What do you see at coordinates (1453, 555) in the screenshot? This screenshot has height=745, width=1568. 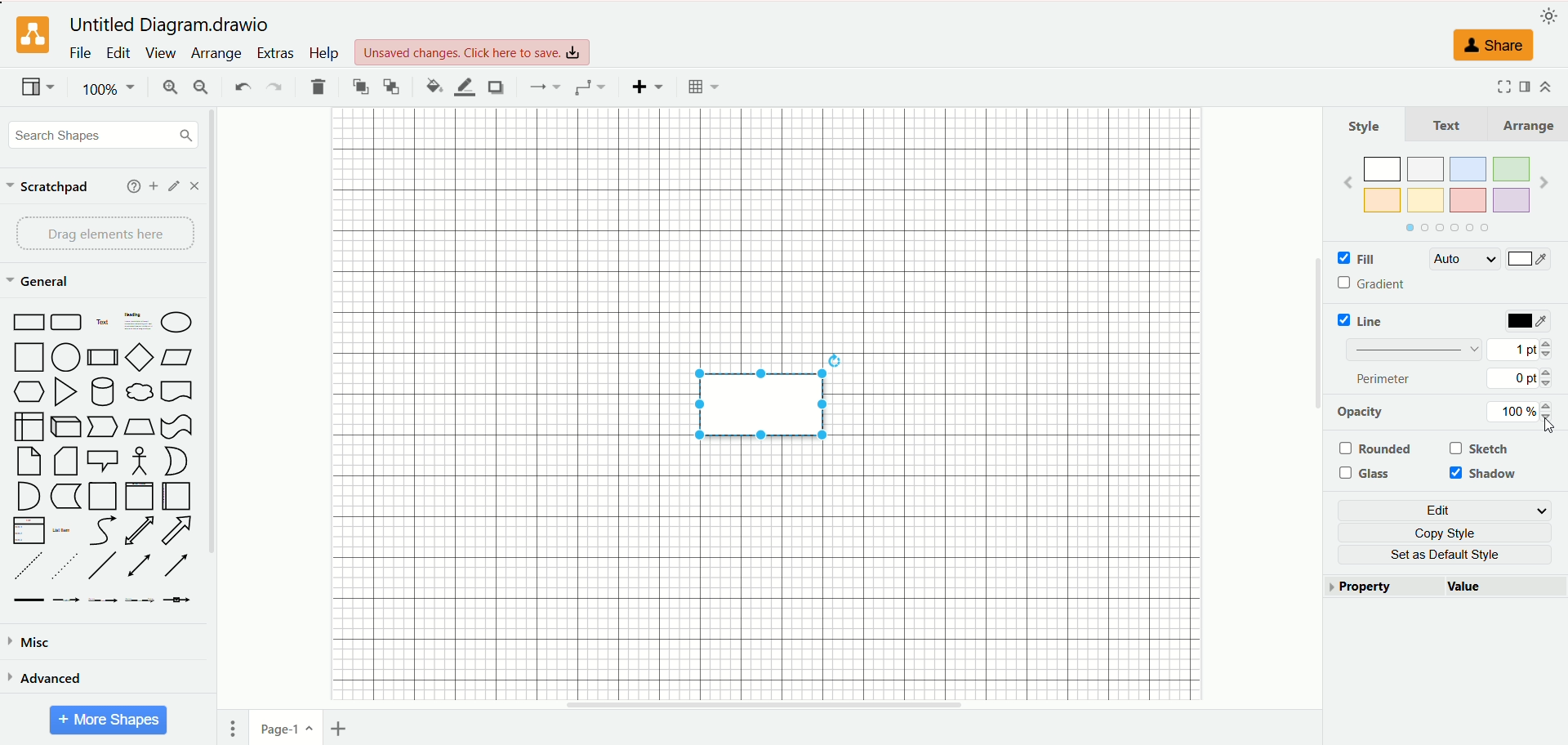 I see `set as default style` at bounding box center [1453, 555].